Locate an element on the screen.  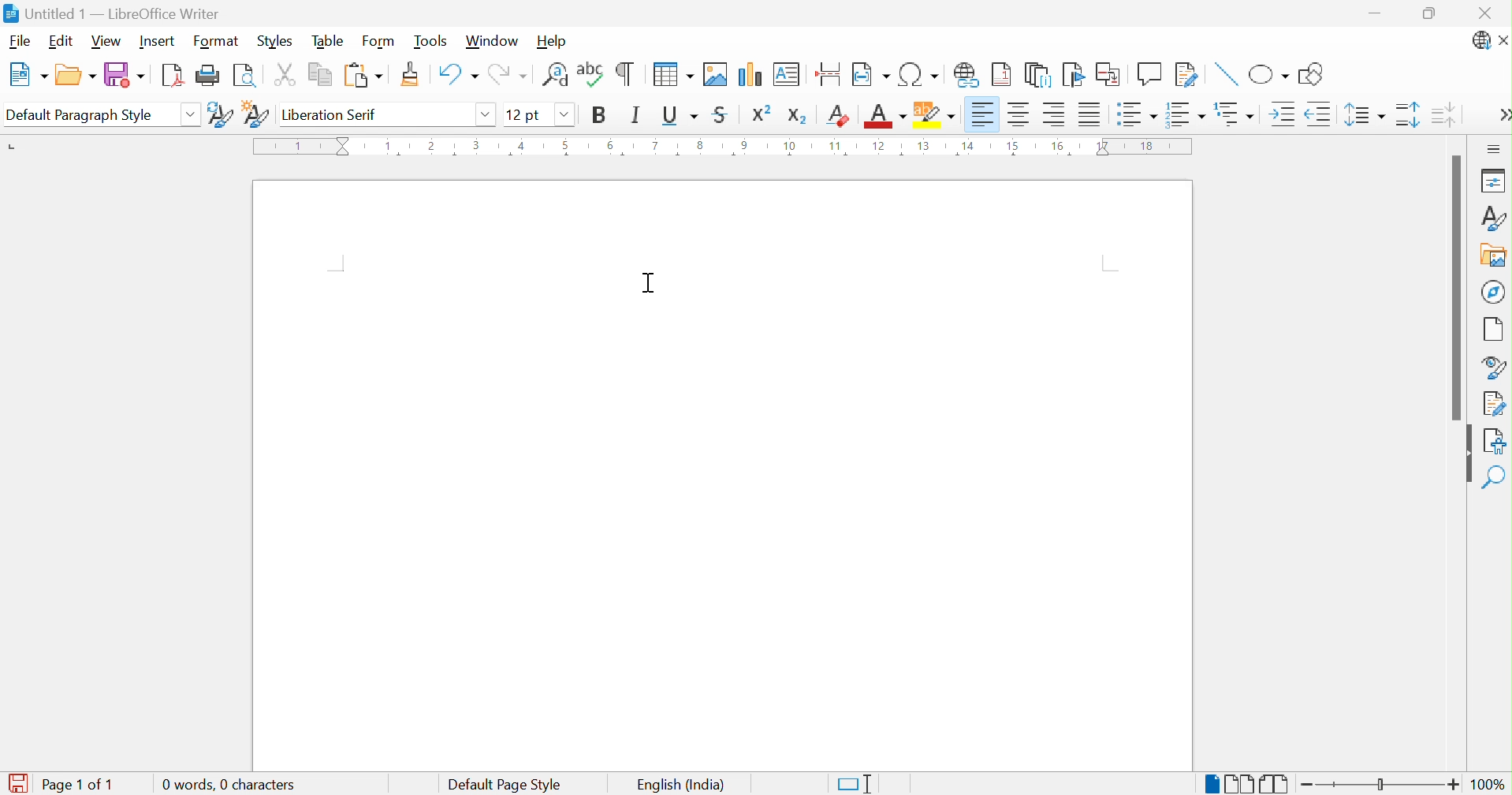
Decrease paragraph spacing is located at coordinates (1444, 116).